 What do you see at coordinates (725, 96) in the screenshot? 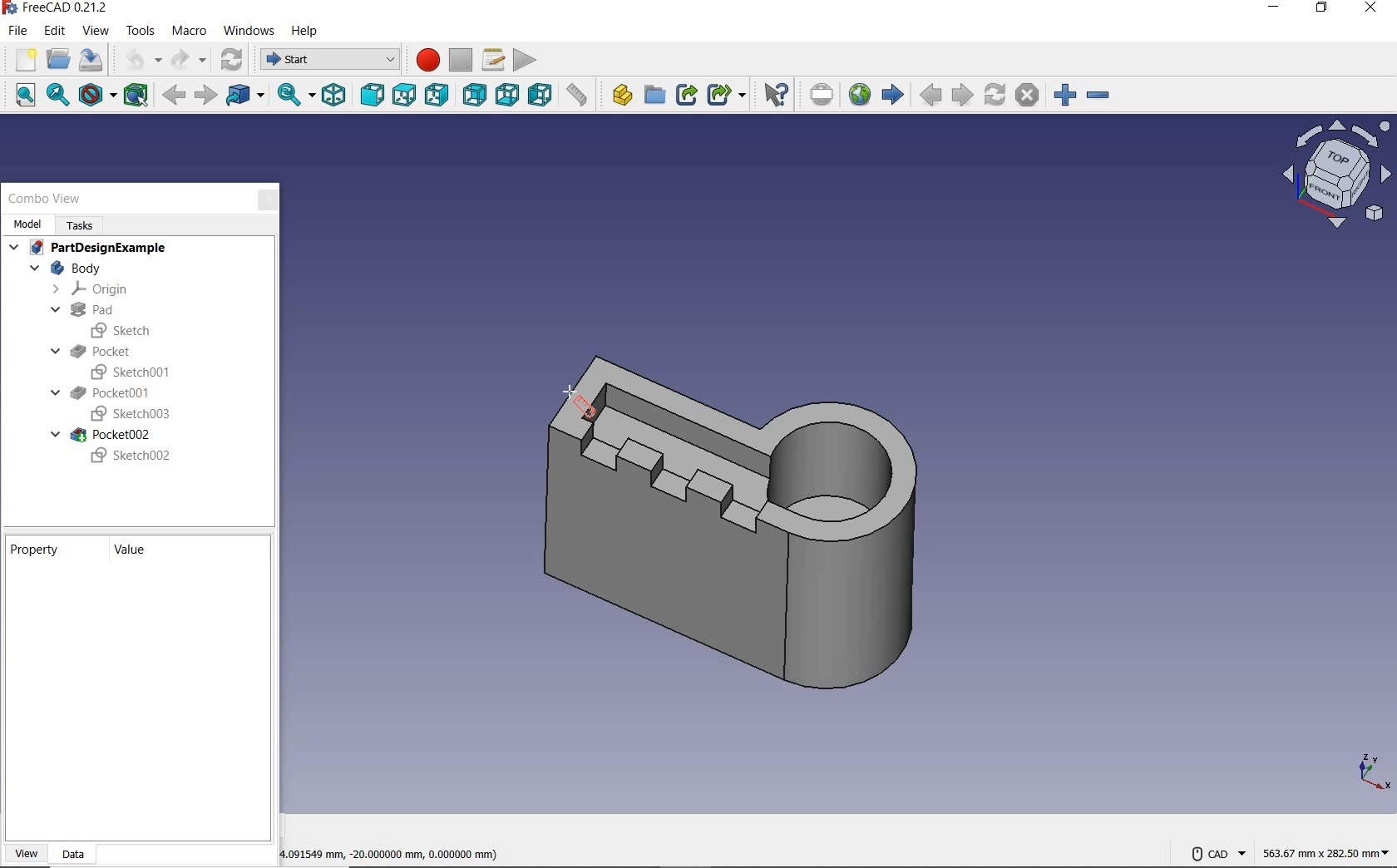
I see `make sub-link` at bounding box center [725, 96].